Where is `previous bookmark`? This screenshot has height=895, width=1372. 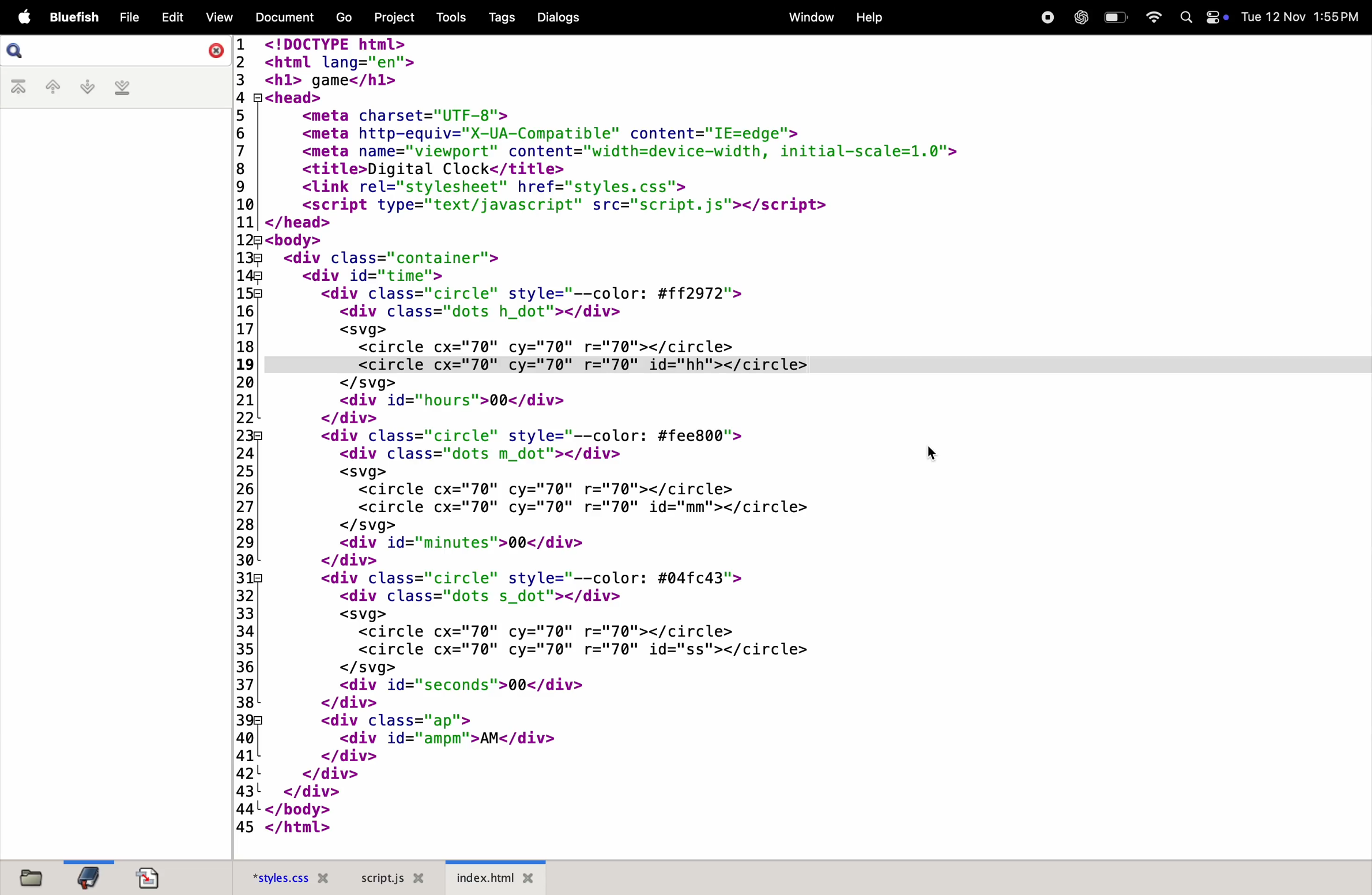 previous bookmark is located at coordinates (50, 87).